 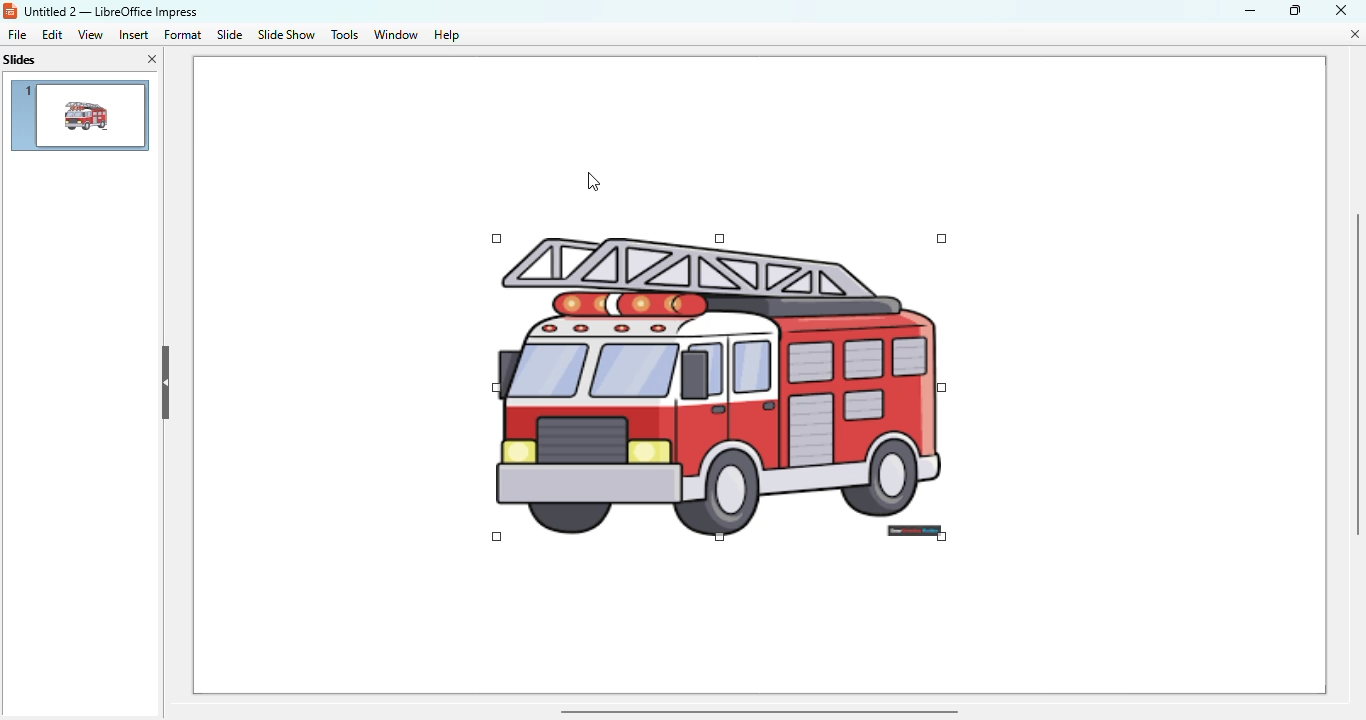 What do you see at coordinates (17, 35) in the screenshot?
I see `file` at bounding box center [17, 35].